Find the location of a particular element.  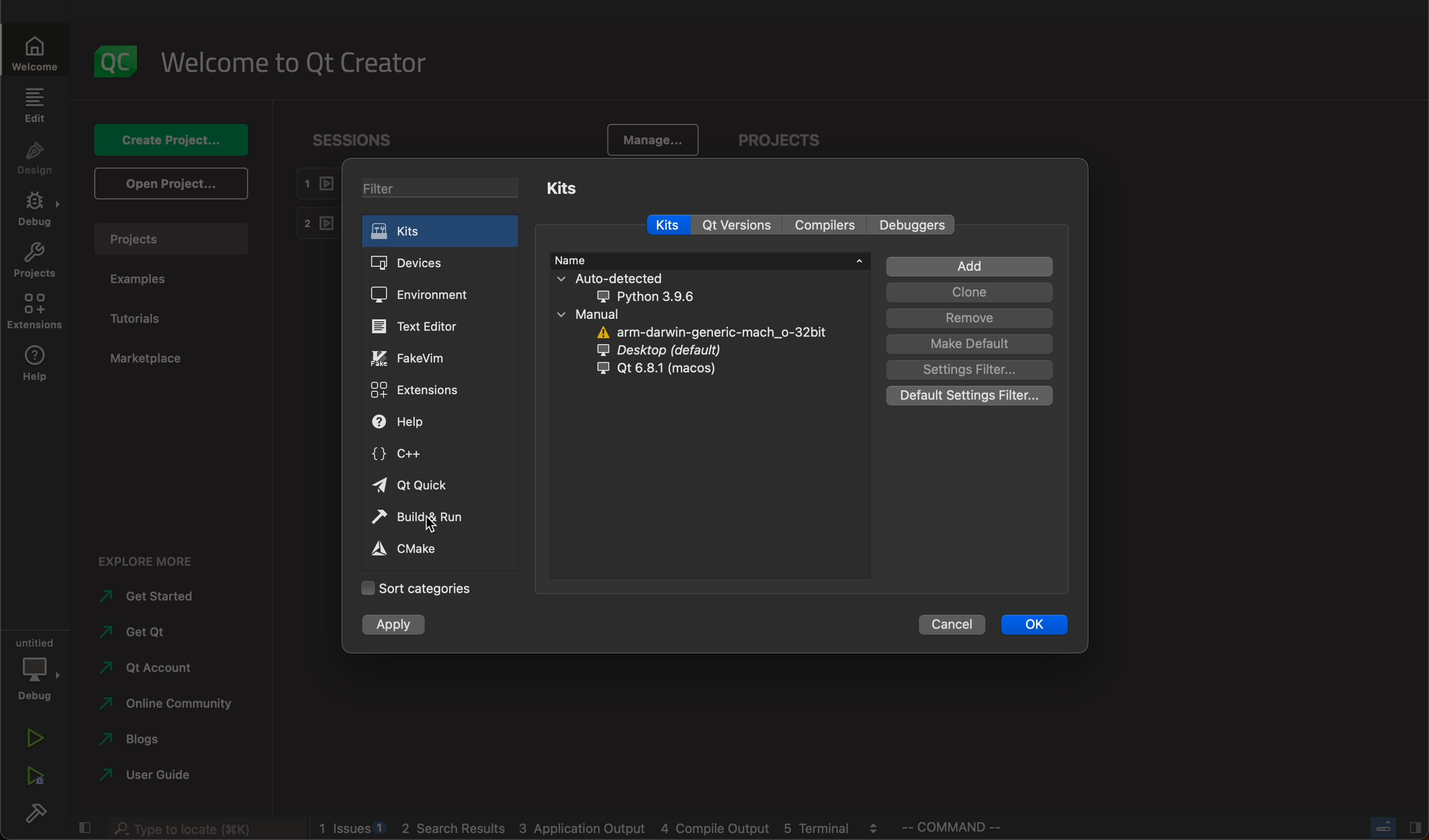

projects is located at coordinates (34, 262).